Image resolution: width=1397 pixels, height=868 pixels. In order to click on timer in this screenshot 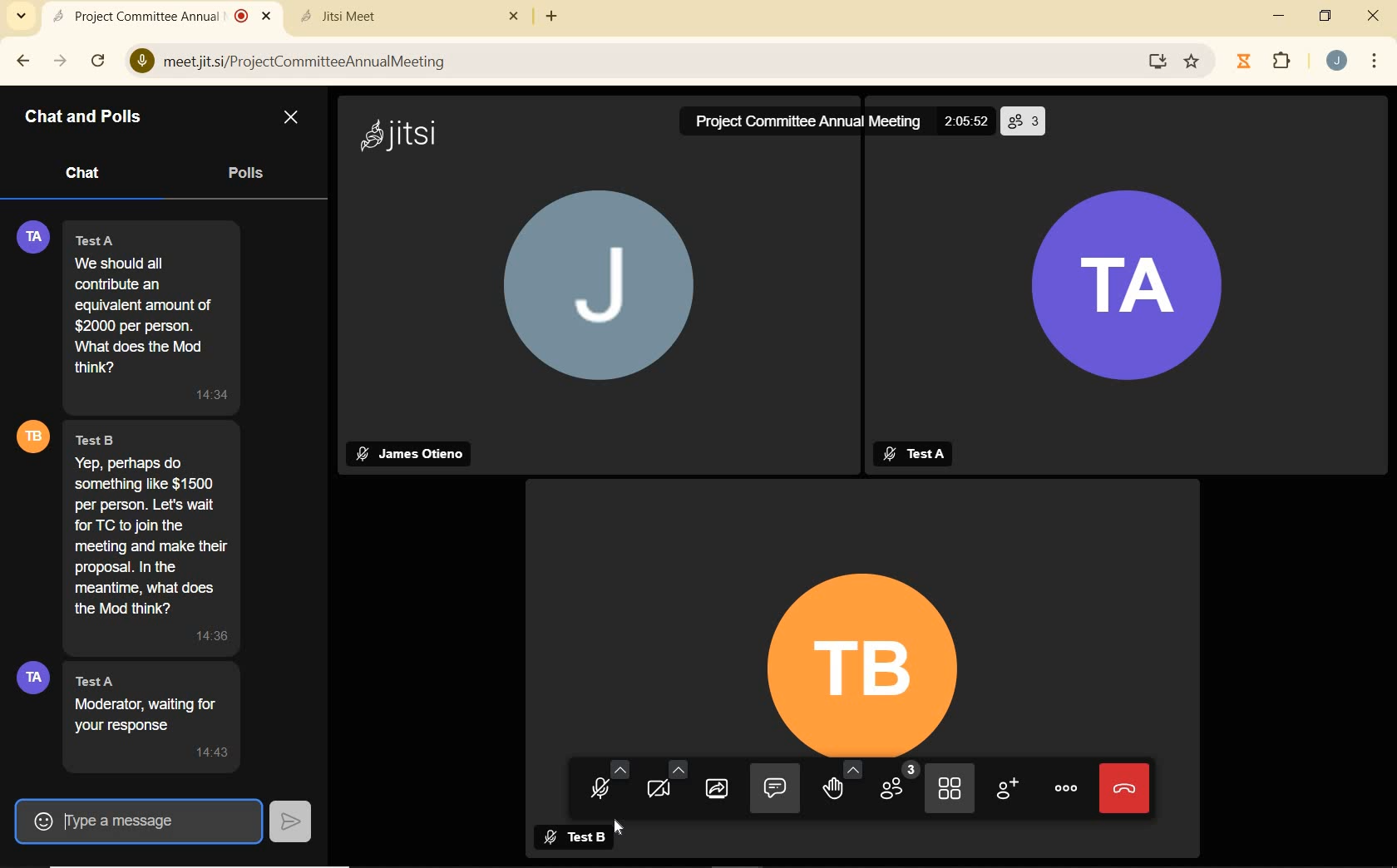, I will do `click(968, 120)`.